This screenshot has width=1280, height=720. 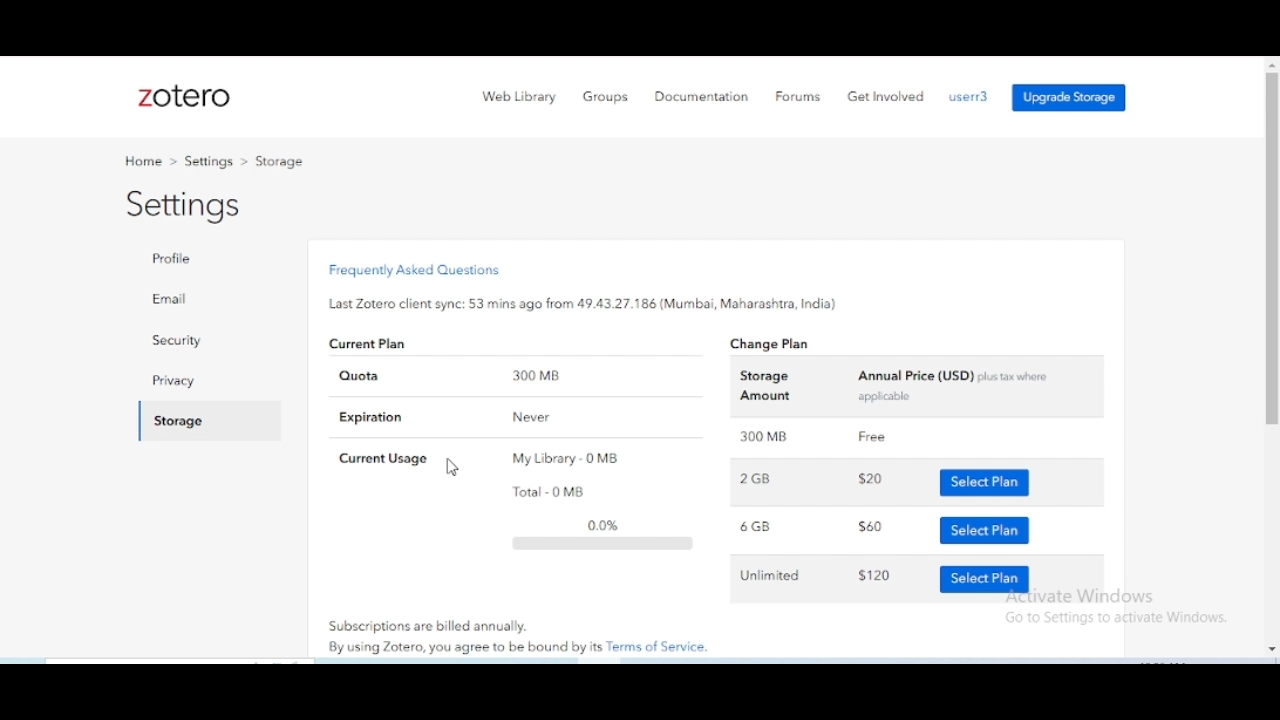 I want to click on By using Zotero, you agree to be bound by its Terms of Service., so click(x=519, y=647).